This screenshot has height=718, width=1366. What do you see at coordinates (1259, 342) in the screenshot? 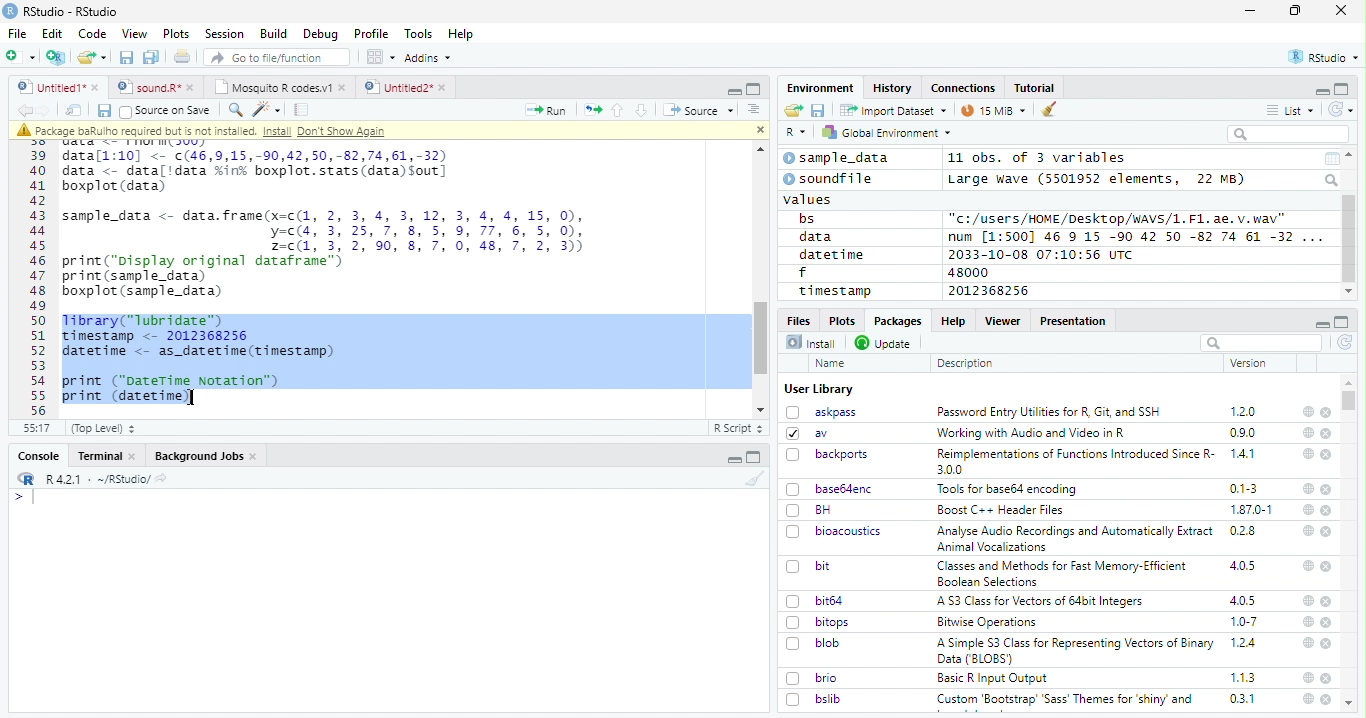
I see `search bar` at bounding box center [1259, 342].